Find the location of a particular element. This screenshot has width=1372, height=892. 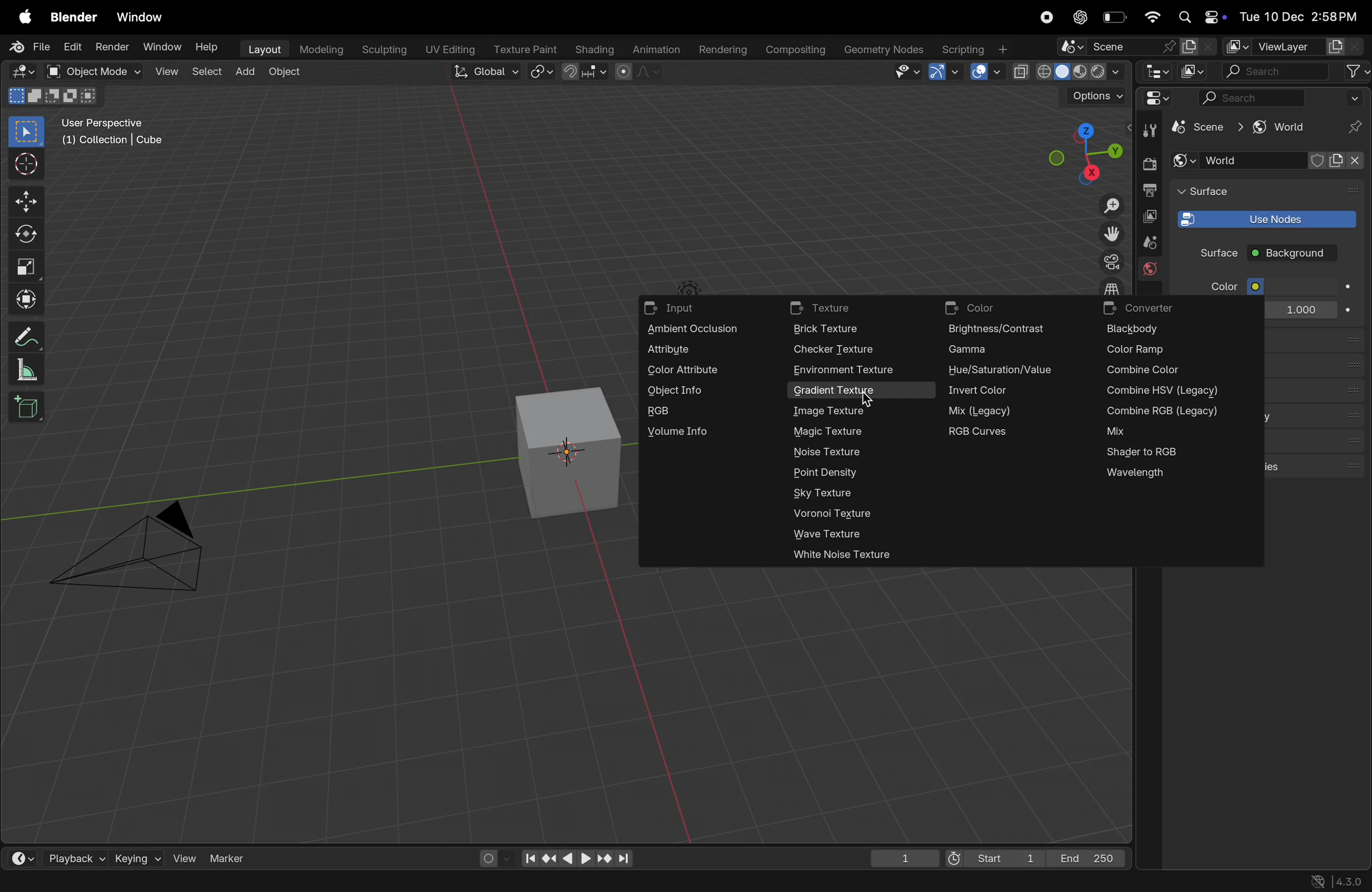

Sculpting is located at coordinates (383, 50).